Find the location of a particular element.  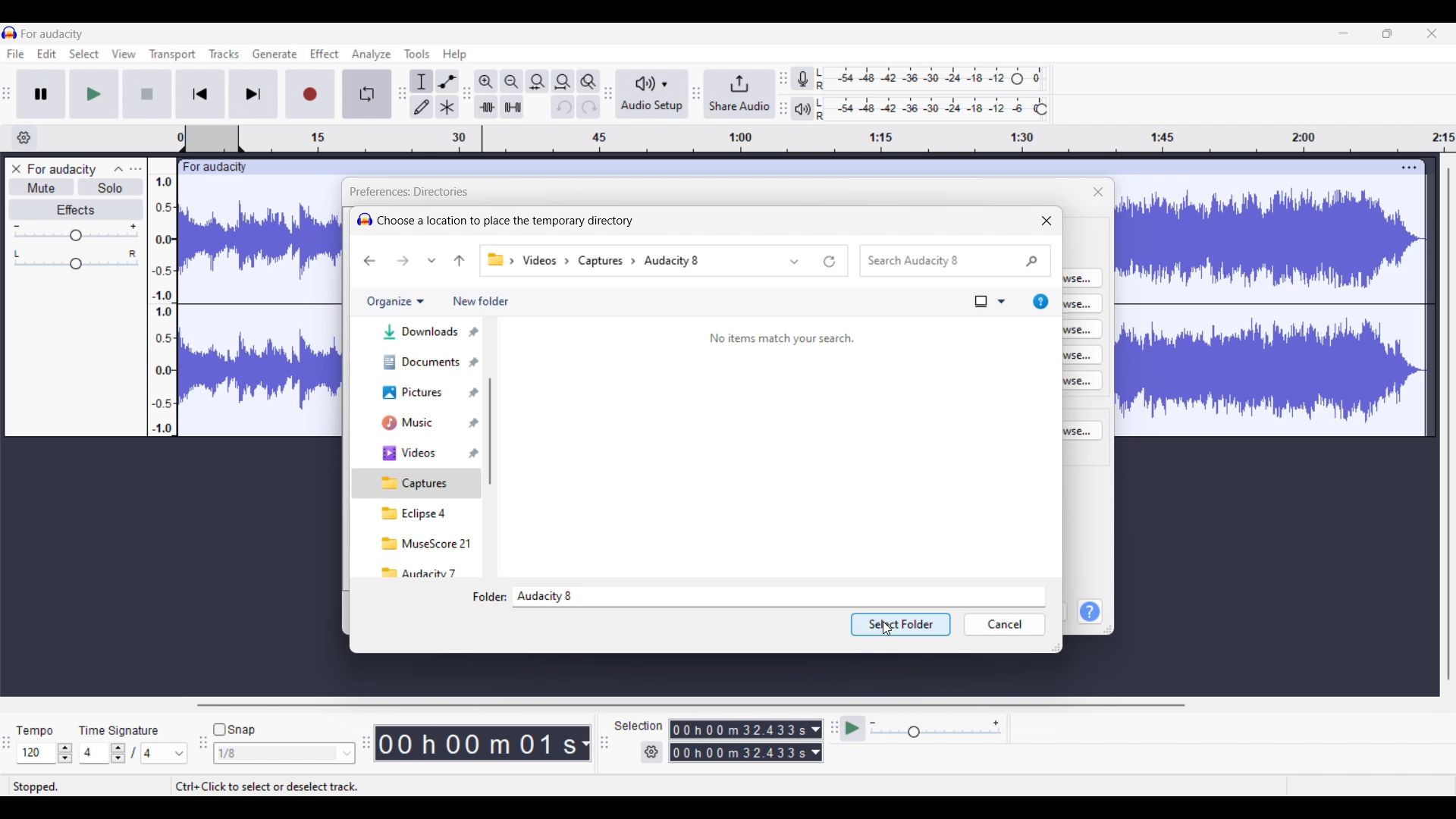

Header to change recording level is located at coordinates (1017, 79).